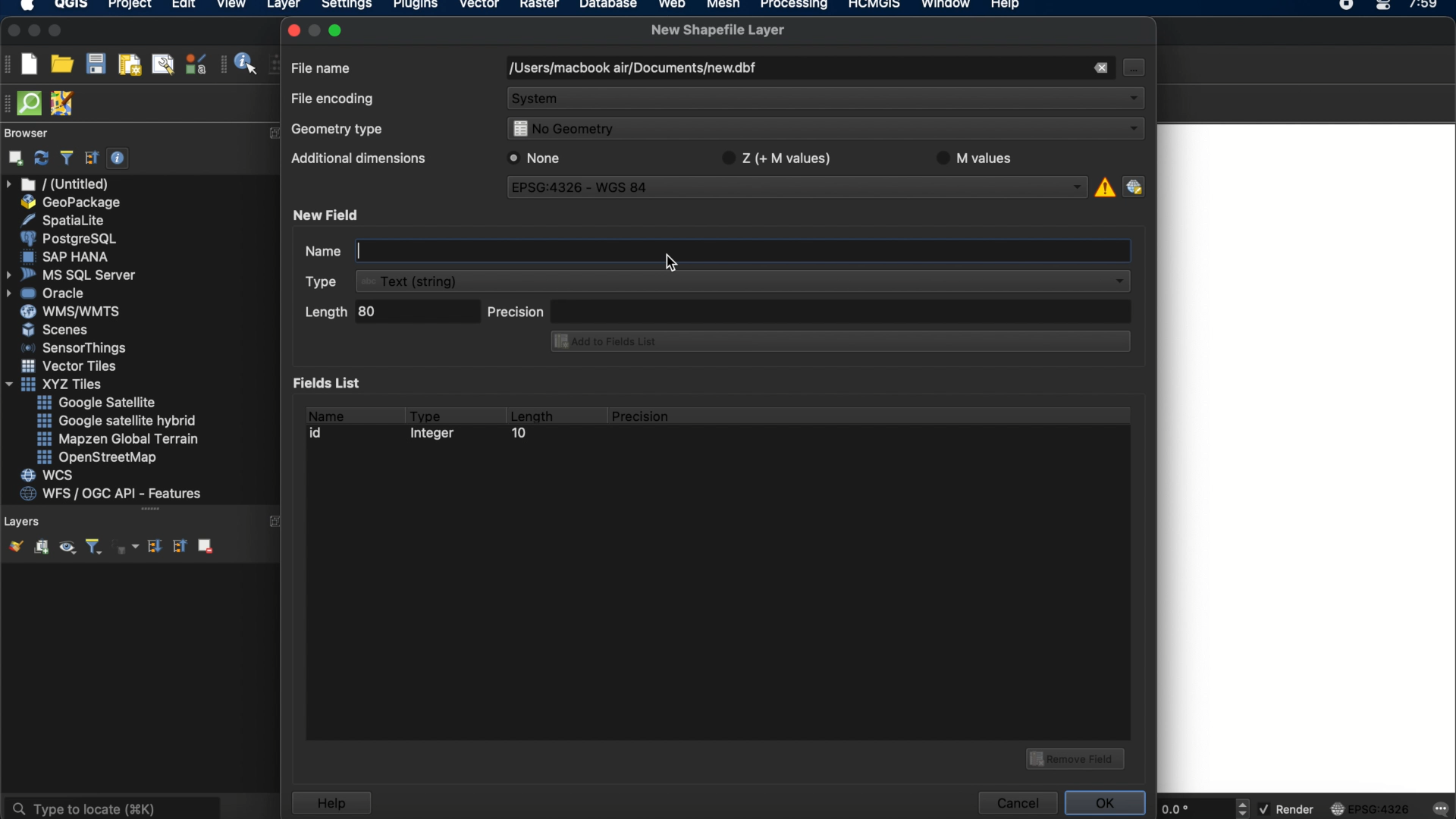  Describe the element at coordinates (780, 156) in the screenshot. I see `Z (+ M values)` at that location.